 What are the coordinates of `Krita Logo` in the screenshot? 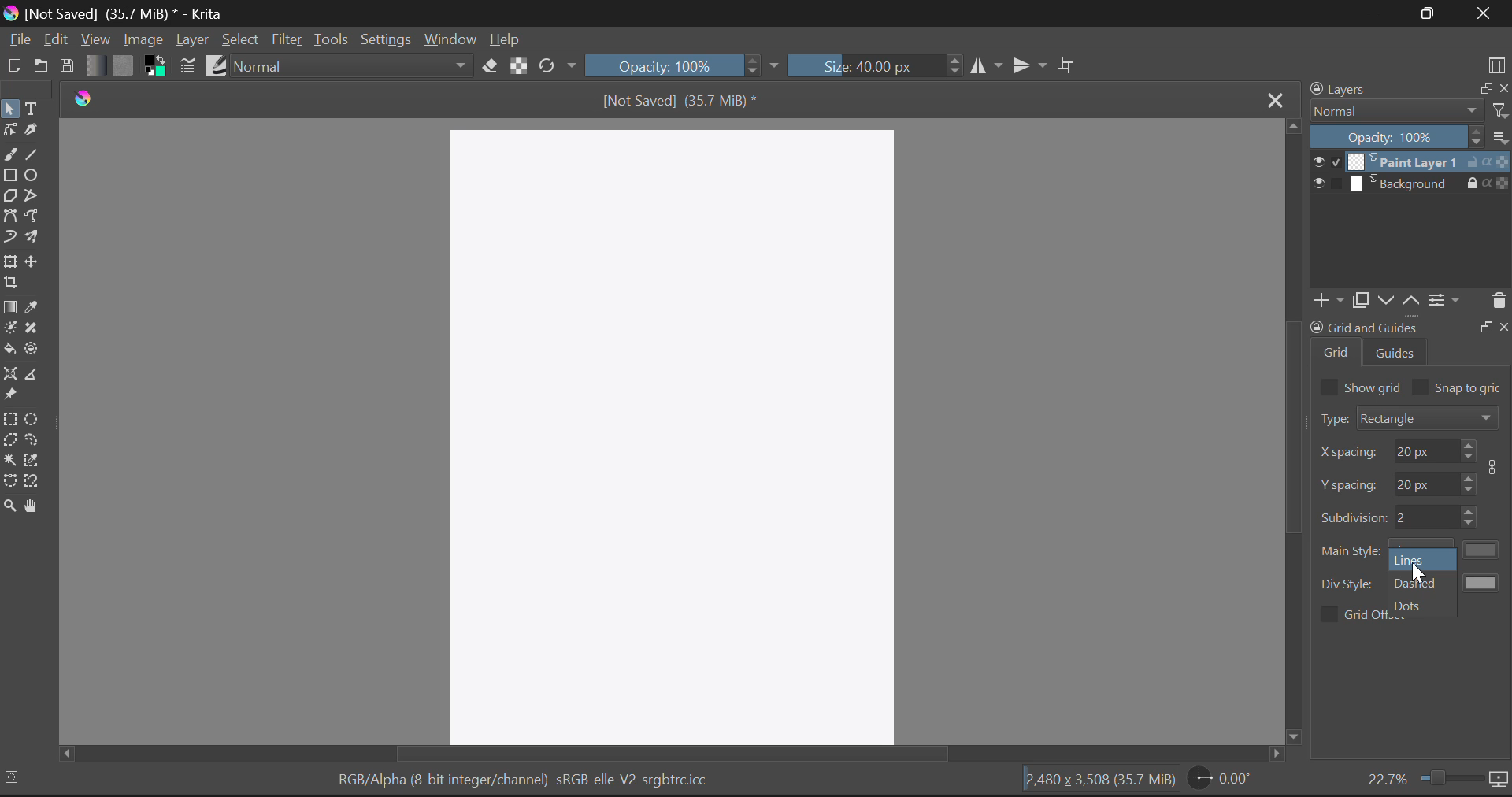 It's located at (84, 98).